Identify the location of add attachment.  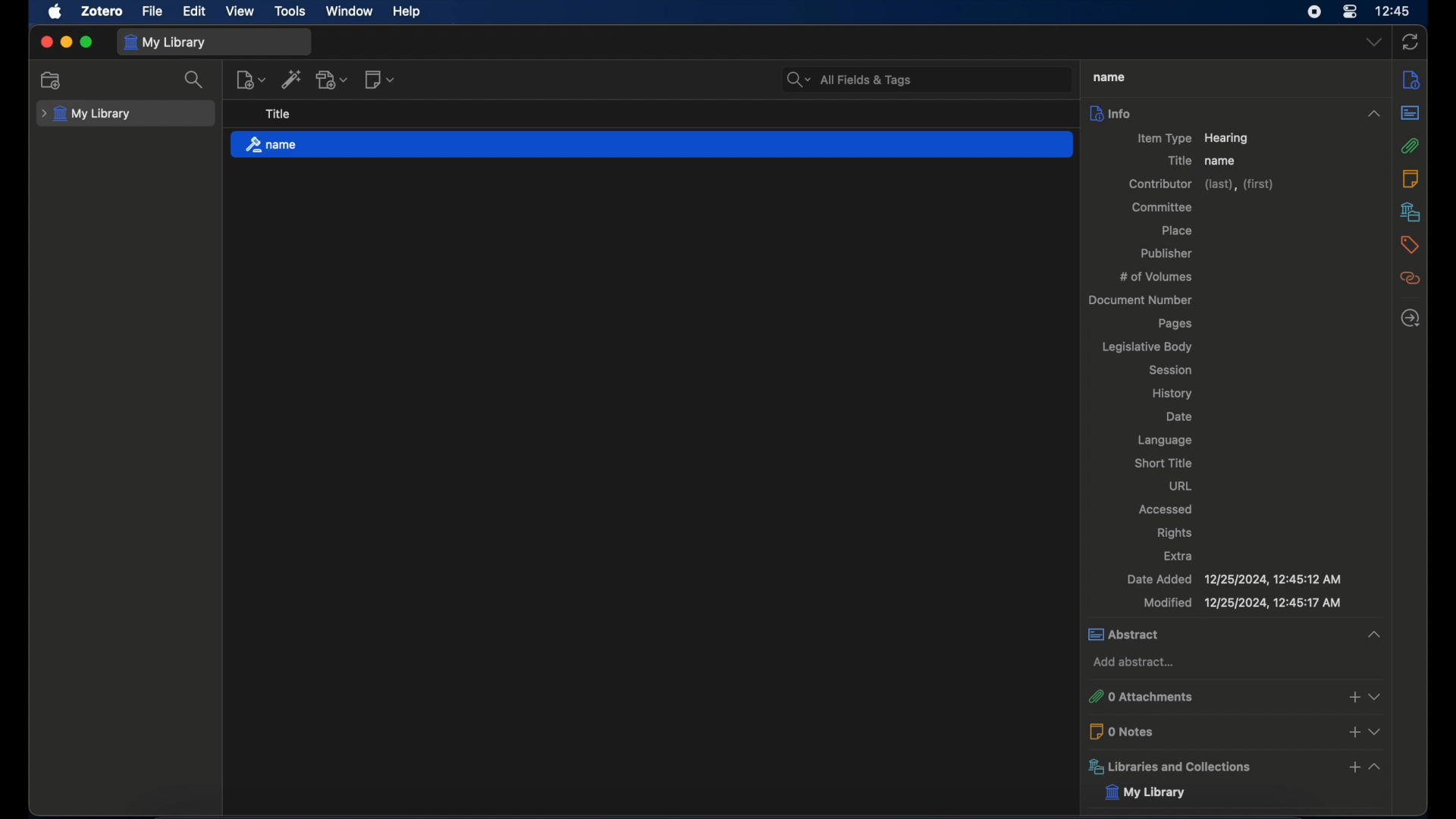
(332, 80).